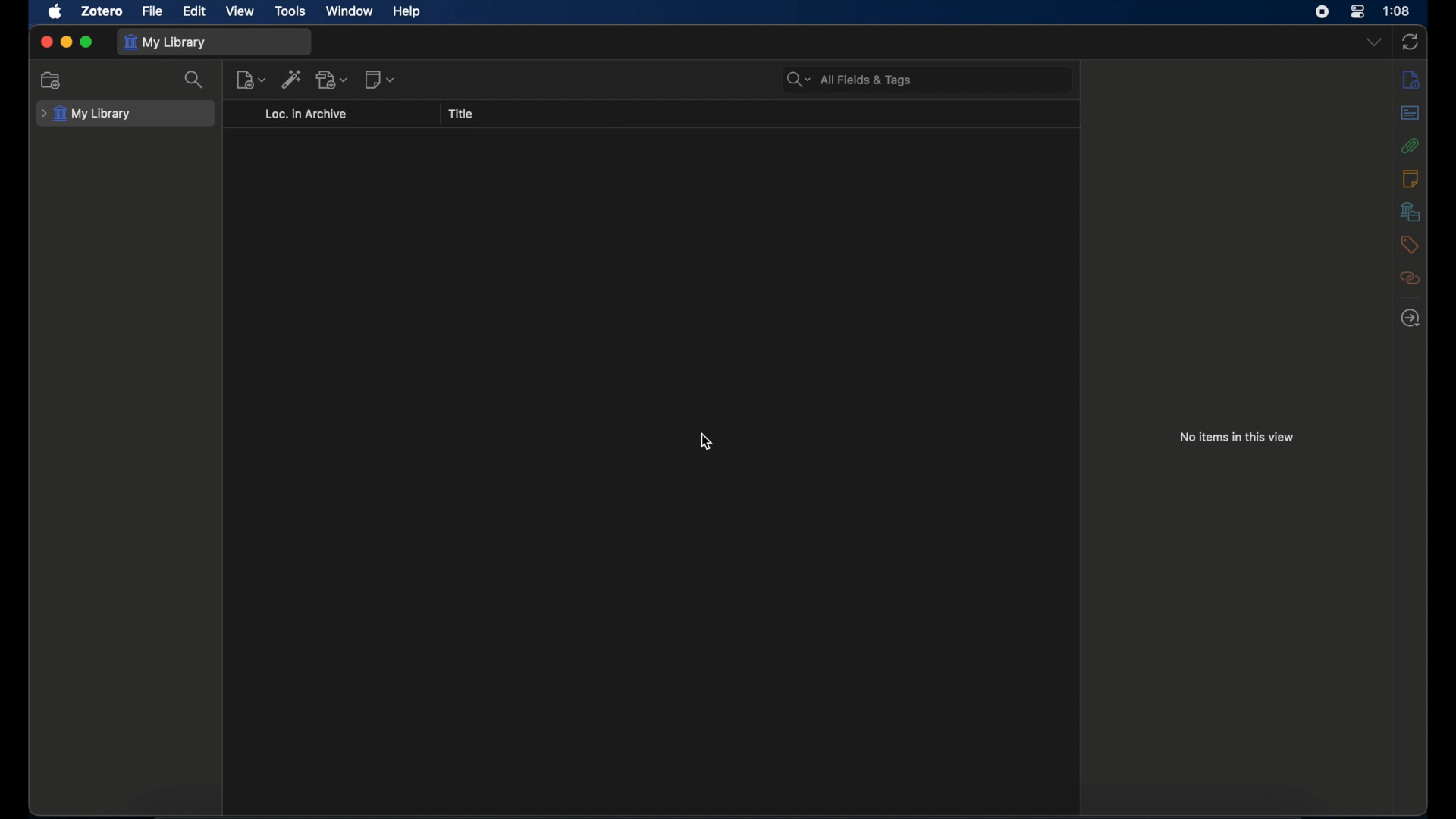  What do you see at coordinates (1357, 12) in the screenshot?
I see `control center` at bounding box center [1357, 12].